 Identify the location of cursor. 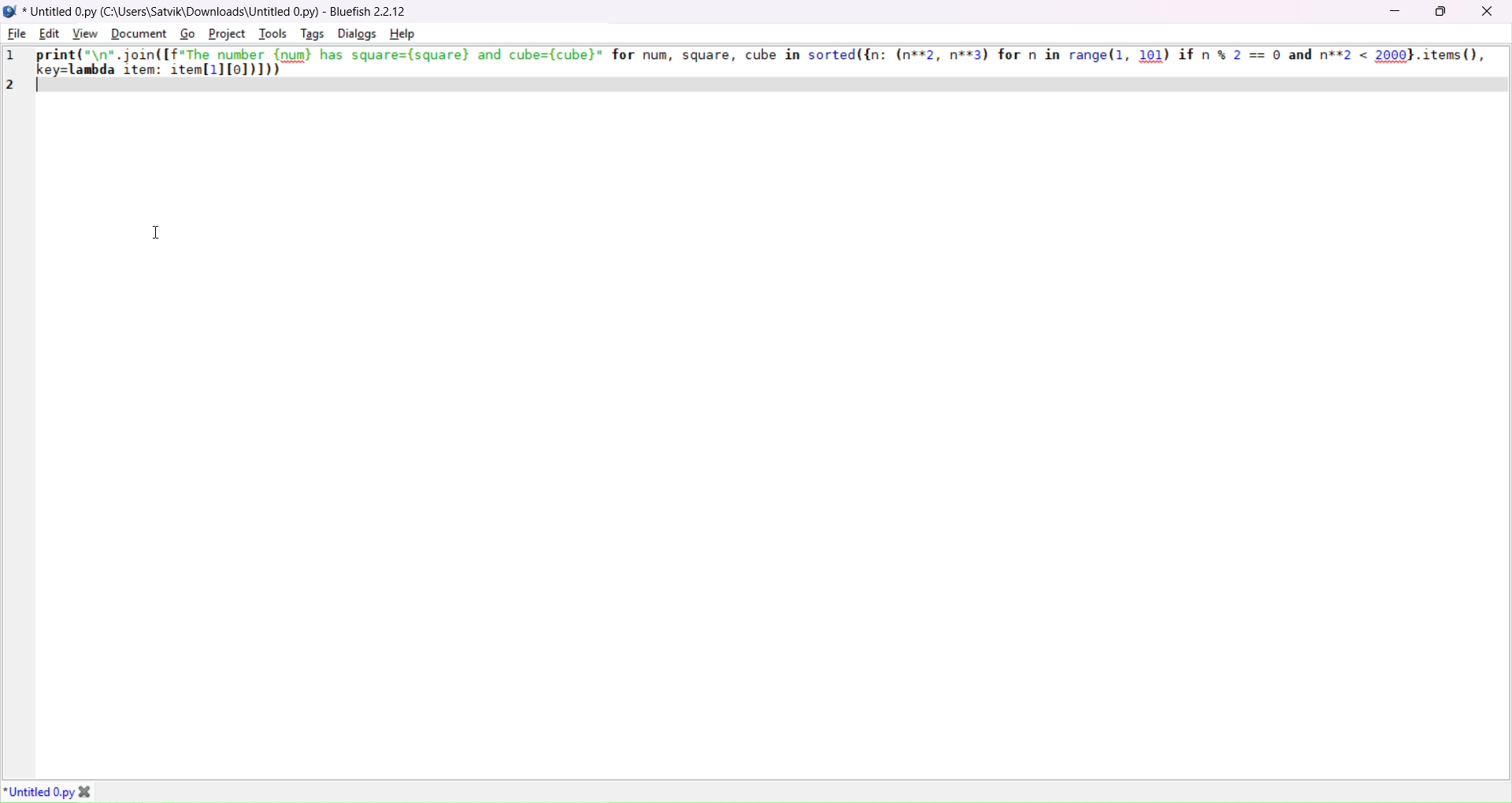
(150, 231).